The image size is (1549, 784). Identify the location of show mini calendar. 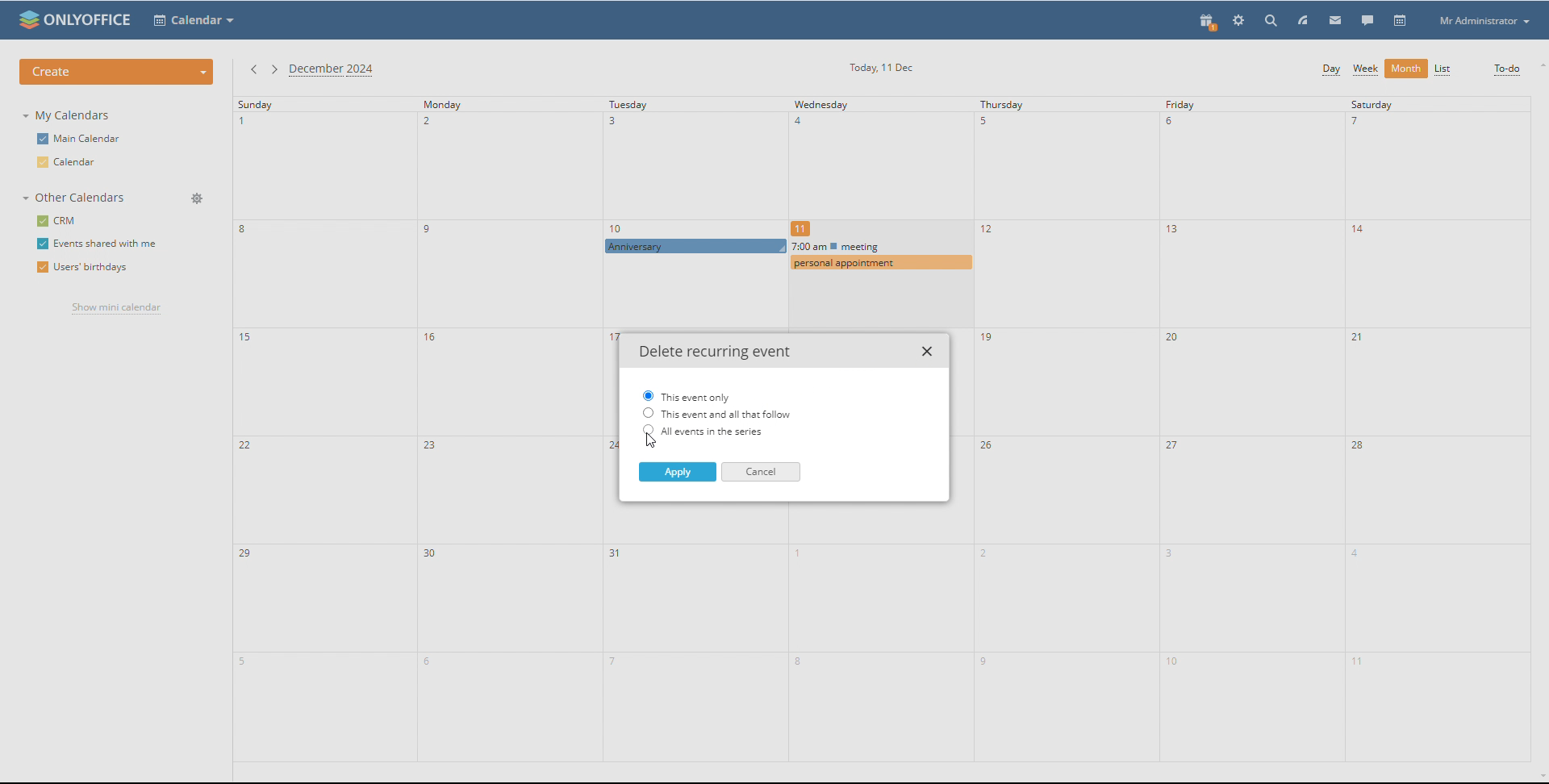
(115, 309).